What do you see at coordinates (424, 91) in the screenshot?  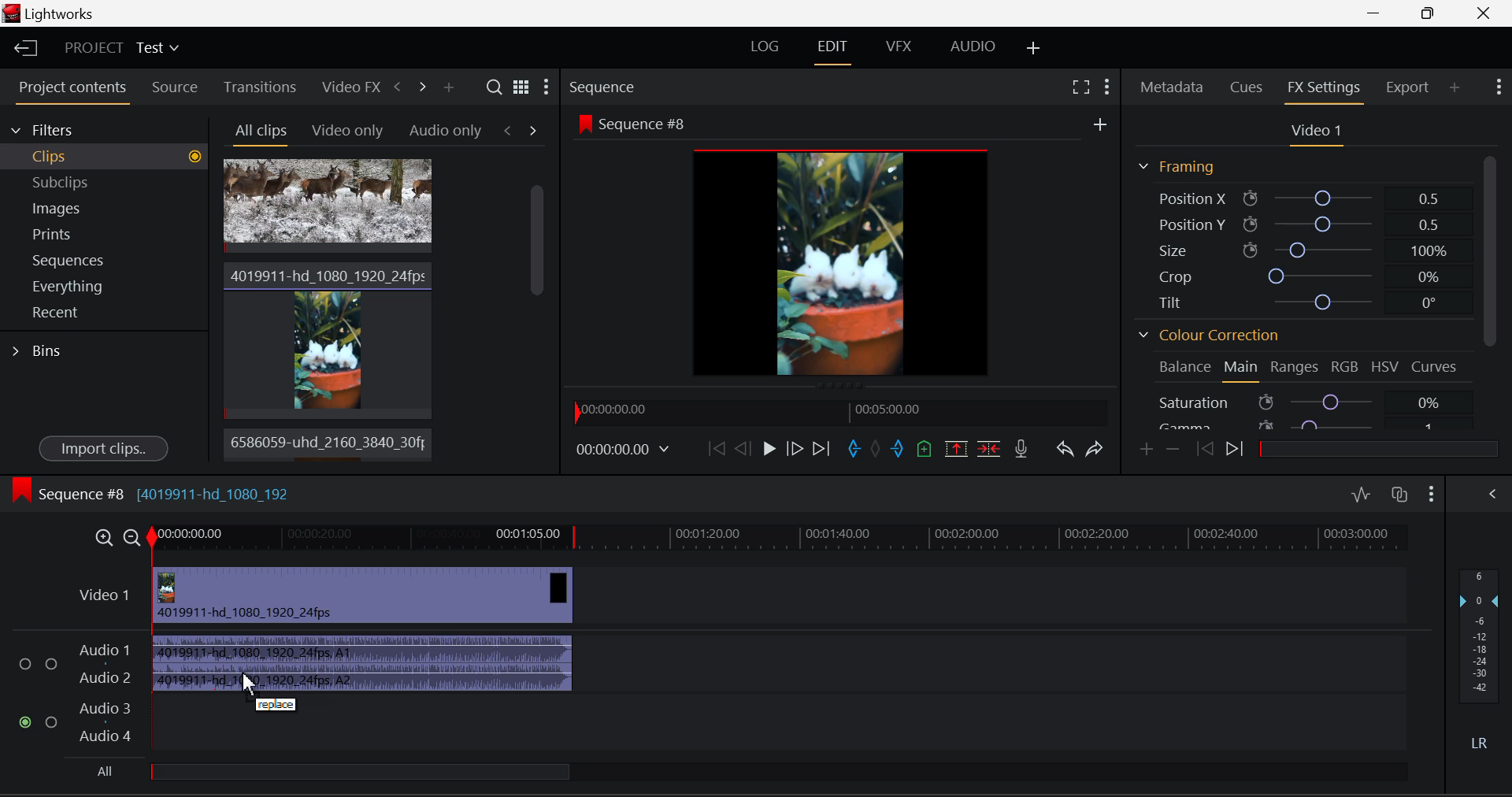 I see `Next Panel` at bounding box center [424, 91].